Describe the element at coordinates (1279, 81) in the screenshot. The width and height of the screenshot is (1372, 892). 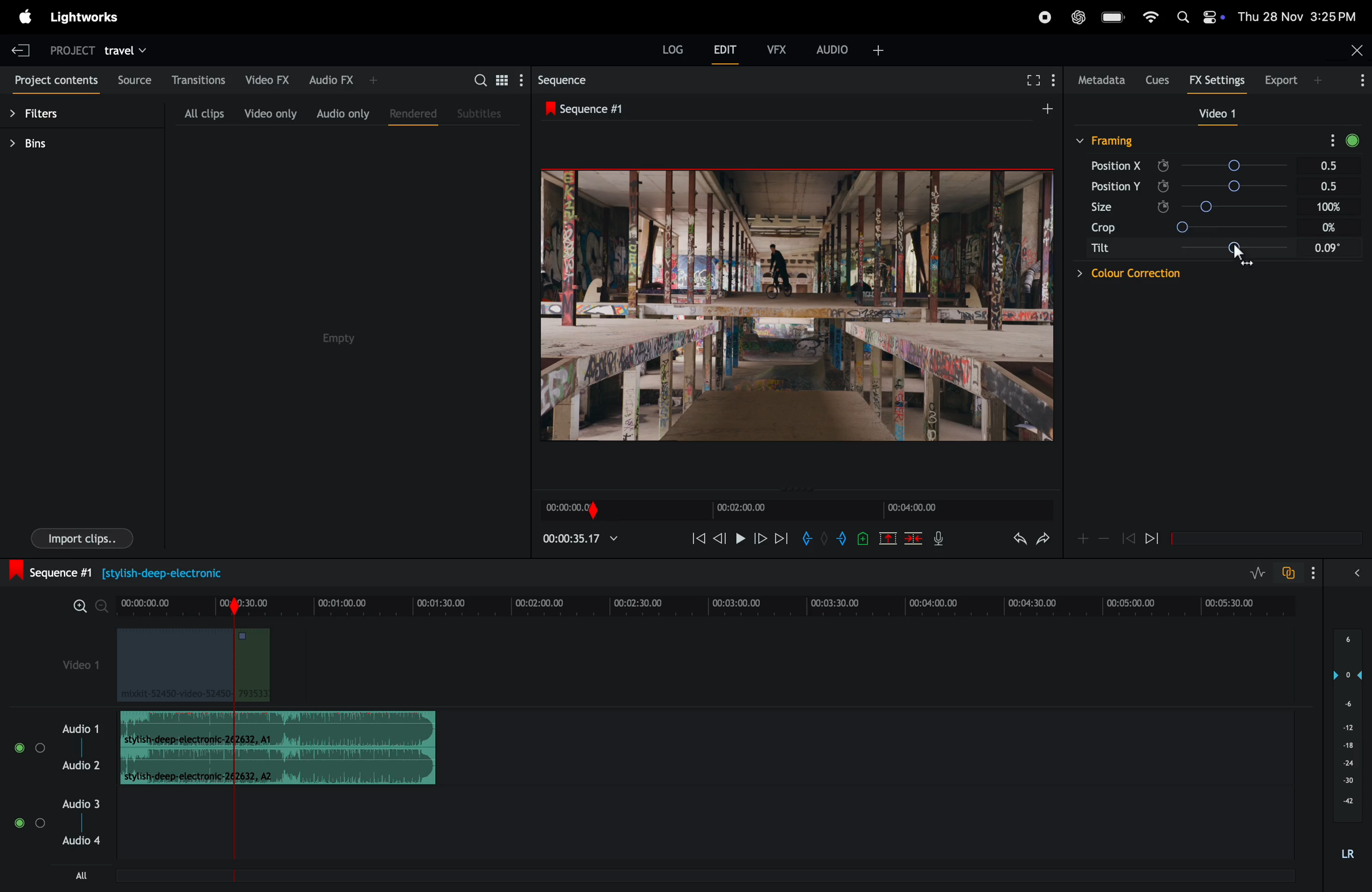
I see `exports` at that location.